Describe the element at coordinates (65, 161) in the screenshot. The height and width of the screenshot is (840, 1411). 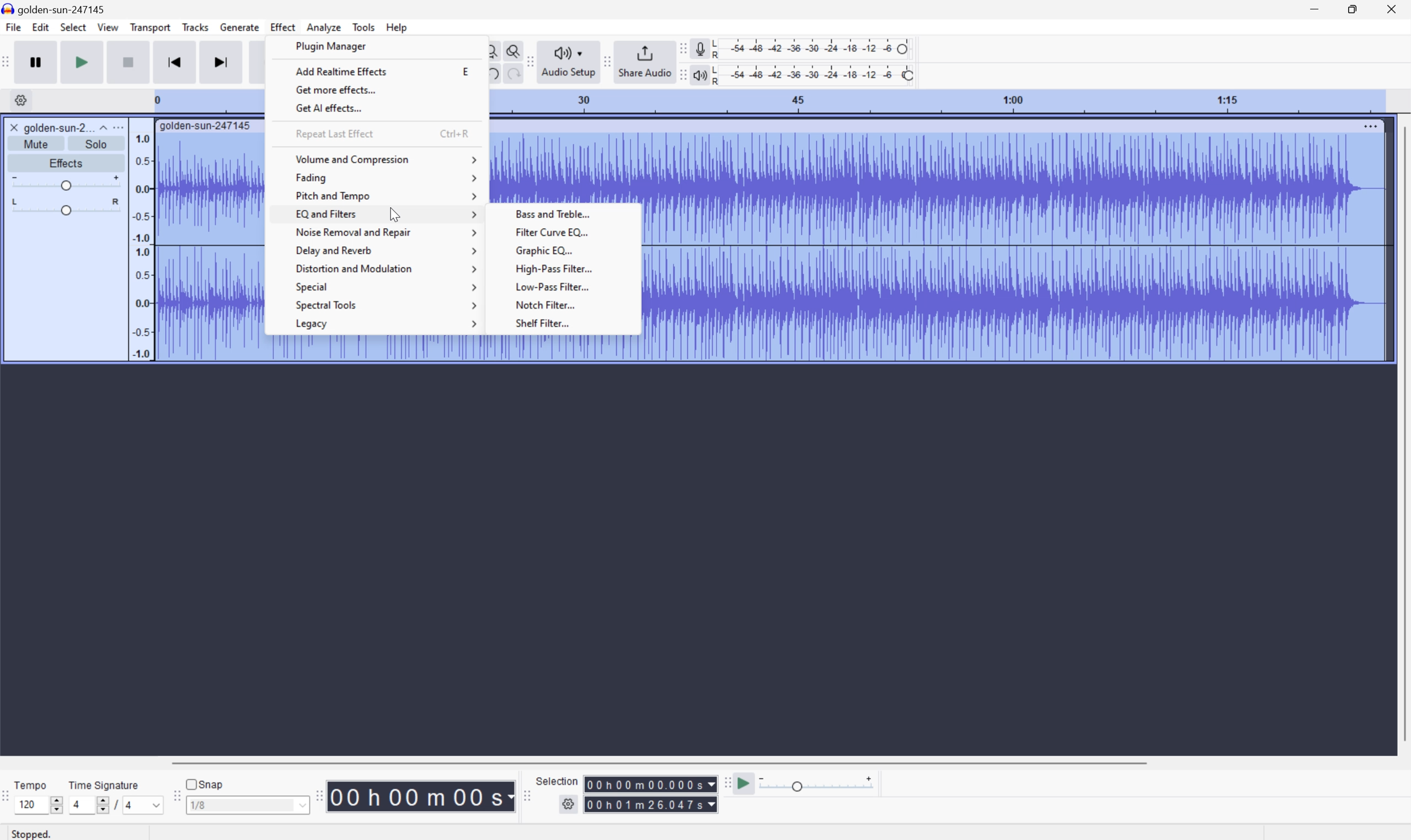
I see `Effects` at that location.